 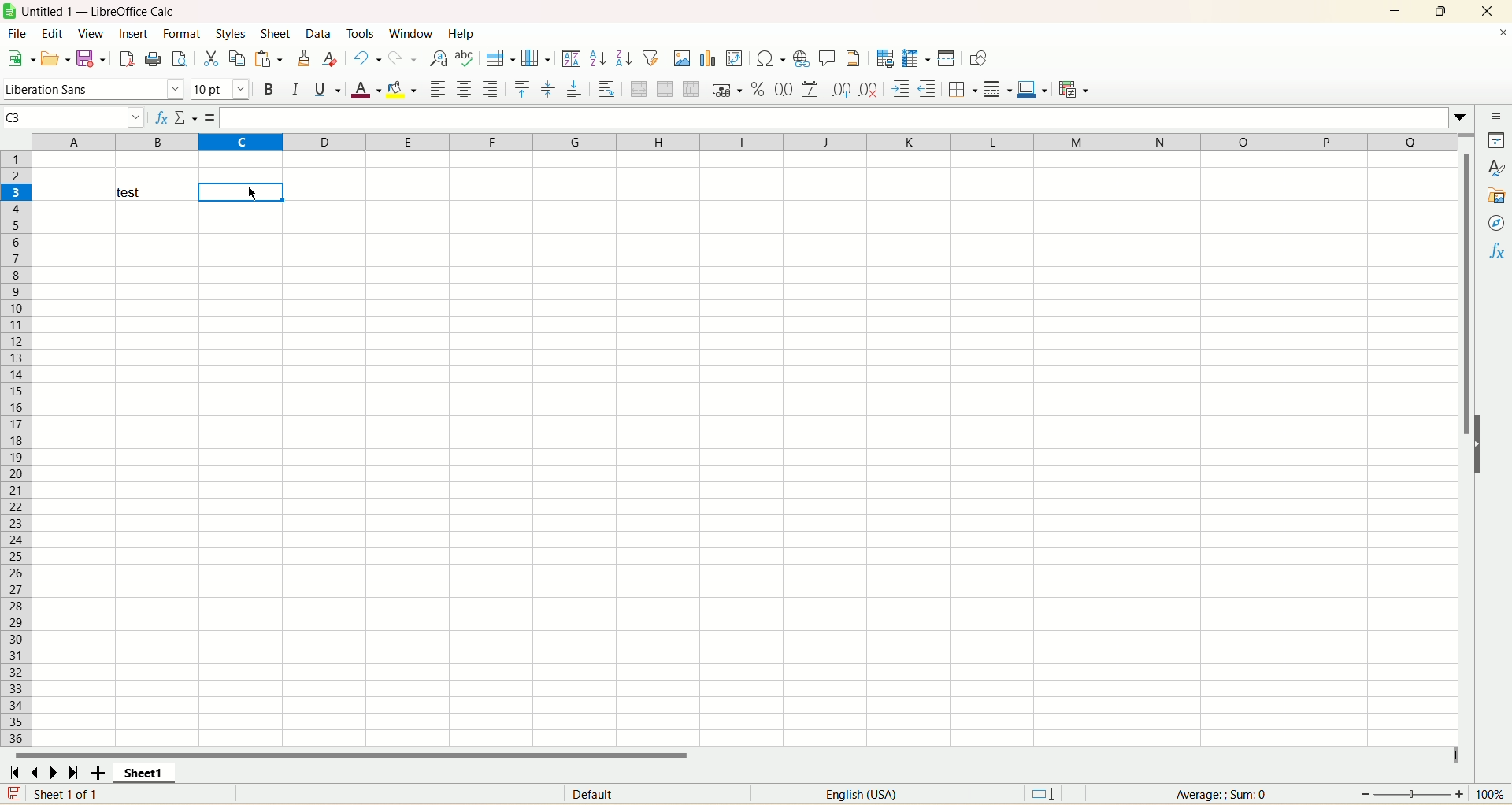 I want to click on italic, so click(x=295, y=89).